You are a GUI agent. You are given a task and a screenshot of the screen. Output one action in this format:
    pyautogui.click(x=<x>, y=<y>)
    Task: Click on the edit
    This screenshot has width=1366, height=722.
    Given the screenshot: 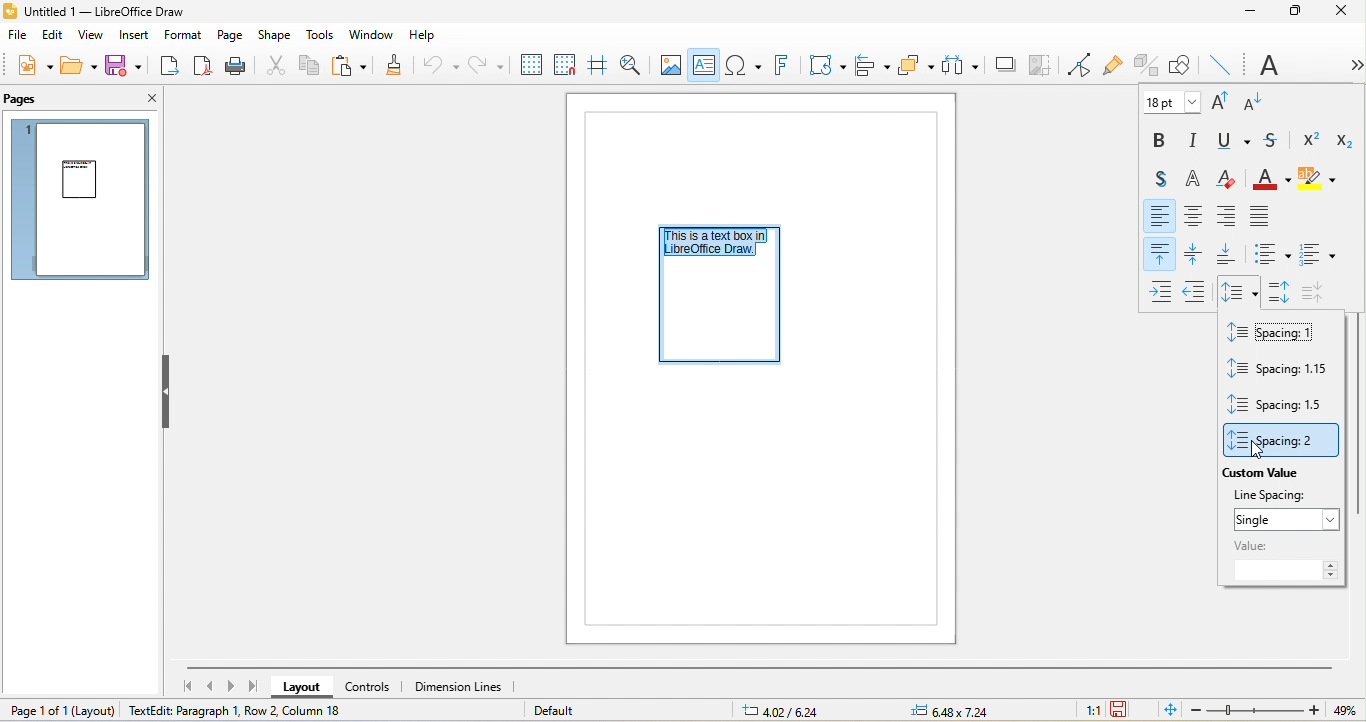 What is the action you would take?
    pyautogui.click(x=53, y=36)
    